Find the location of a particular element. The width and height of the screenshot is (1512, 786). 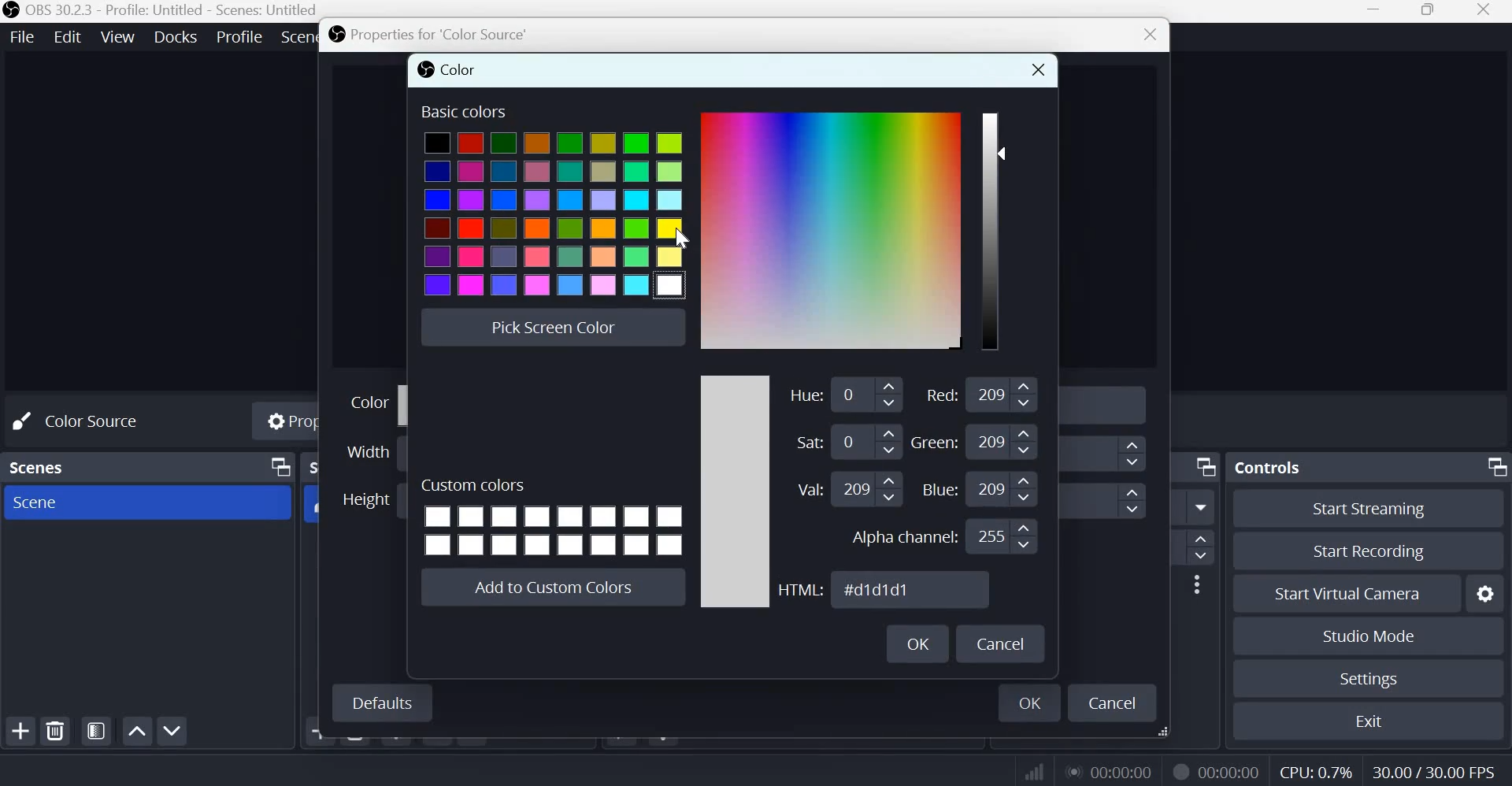

OBS studio logo is located at coordinates (11, 11).